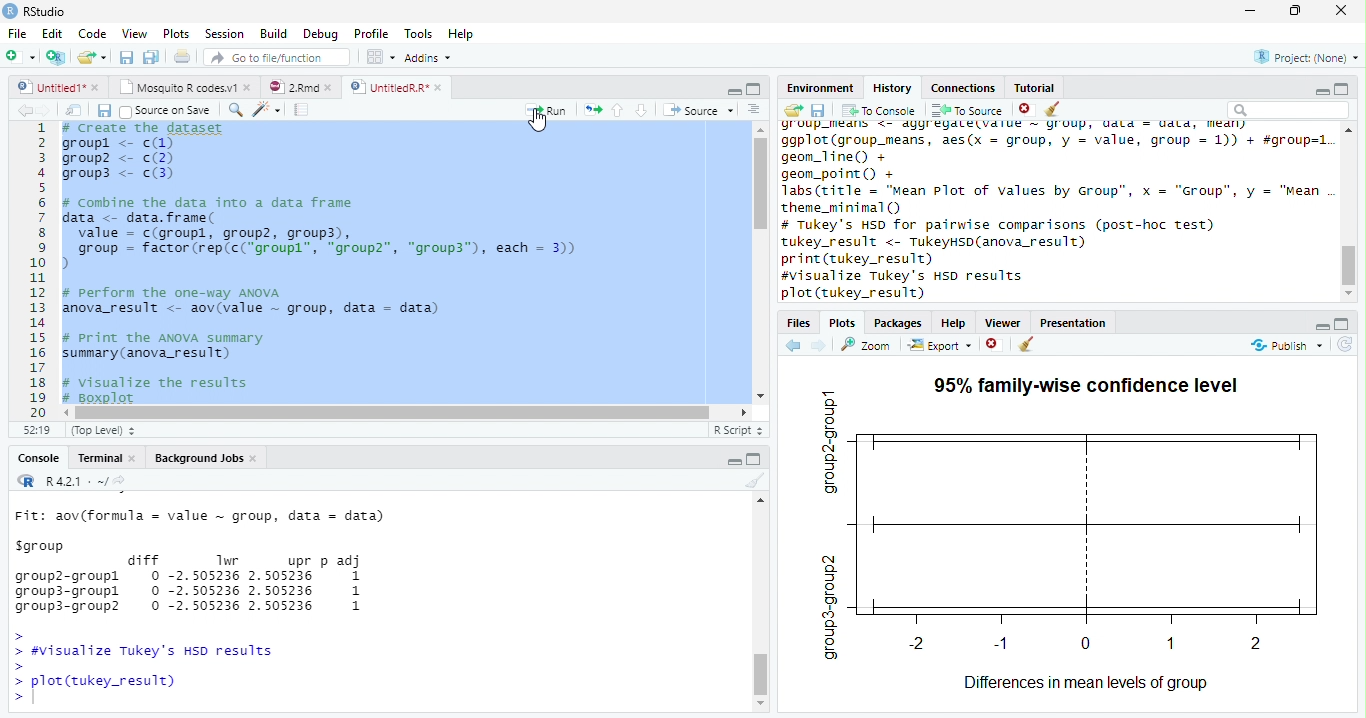  What do you see at coordinates (762, 607) in the screenshot?
I see `Scrollbar` at bounding box center [762, 607].